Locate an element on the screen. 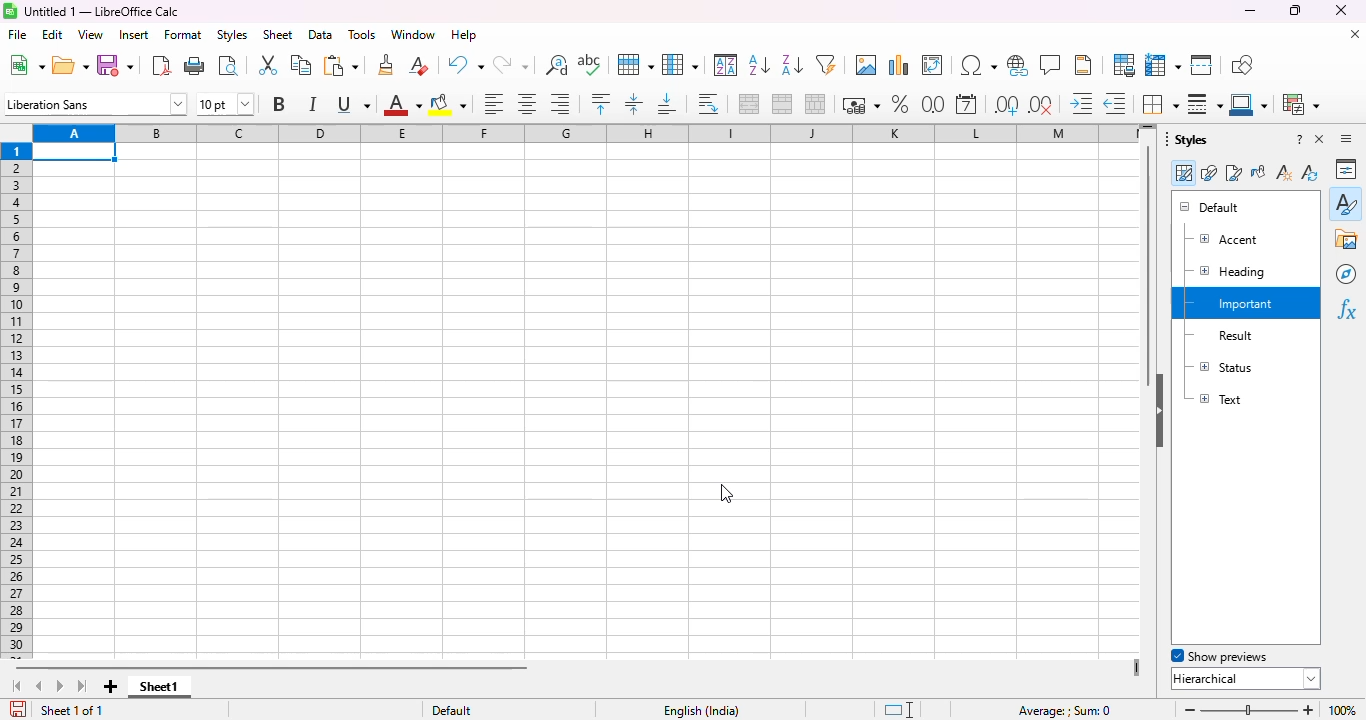  gallery is located at coordinates (1347, 239).